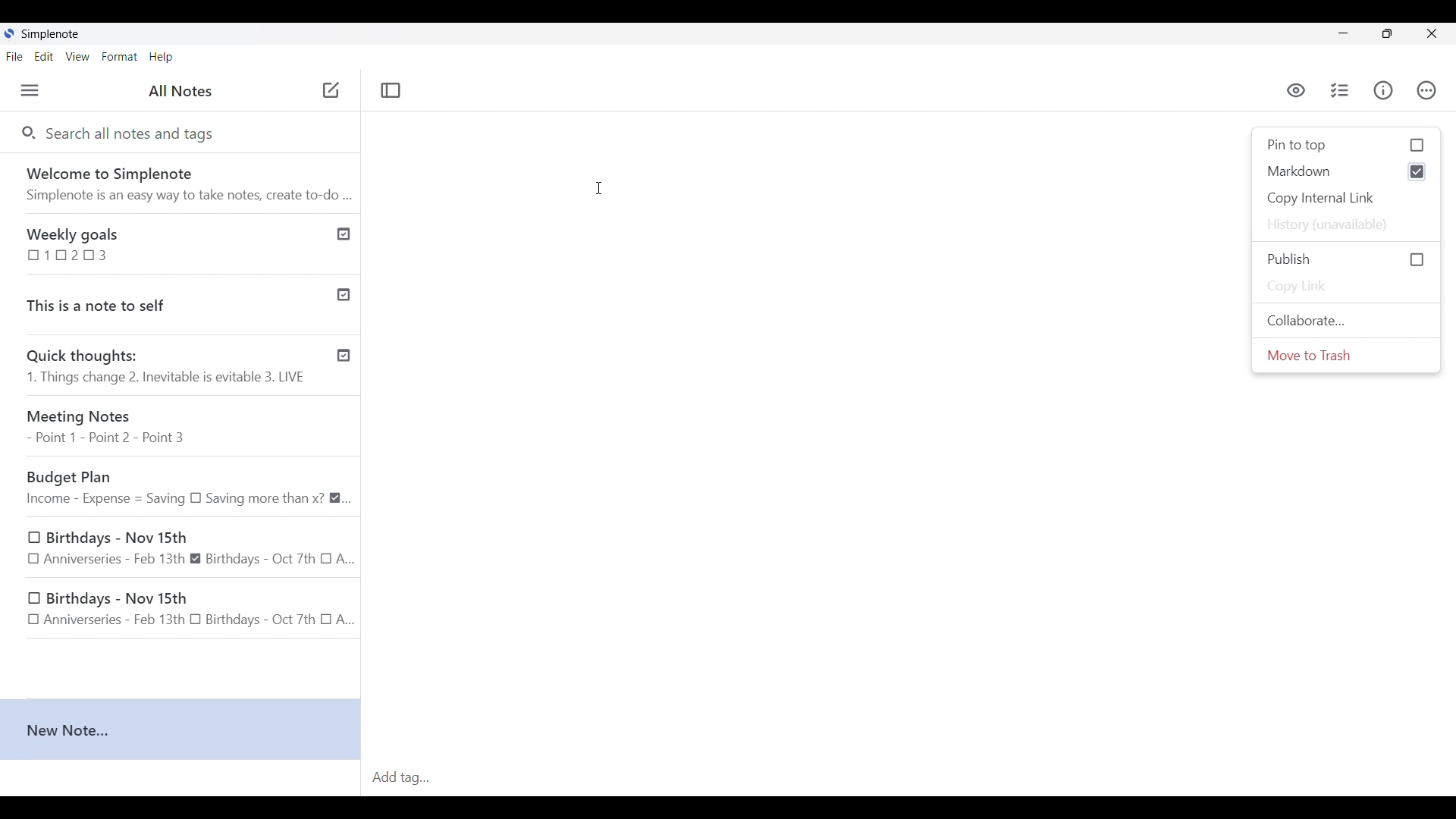 This screenshot has height=819, width=1456. Describe the element at coordinates (136, 134) in the screenshot. I see `Search all notes and tags` at that location.